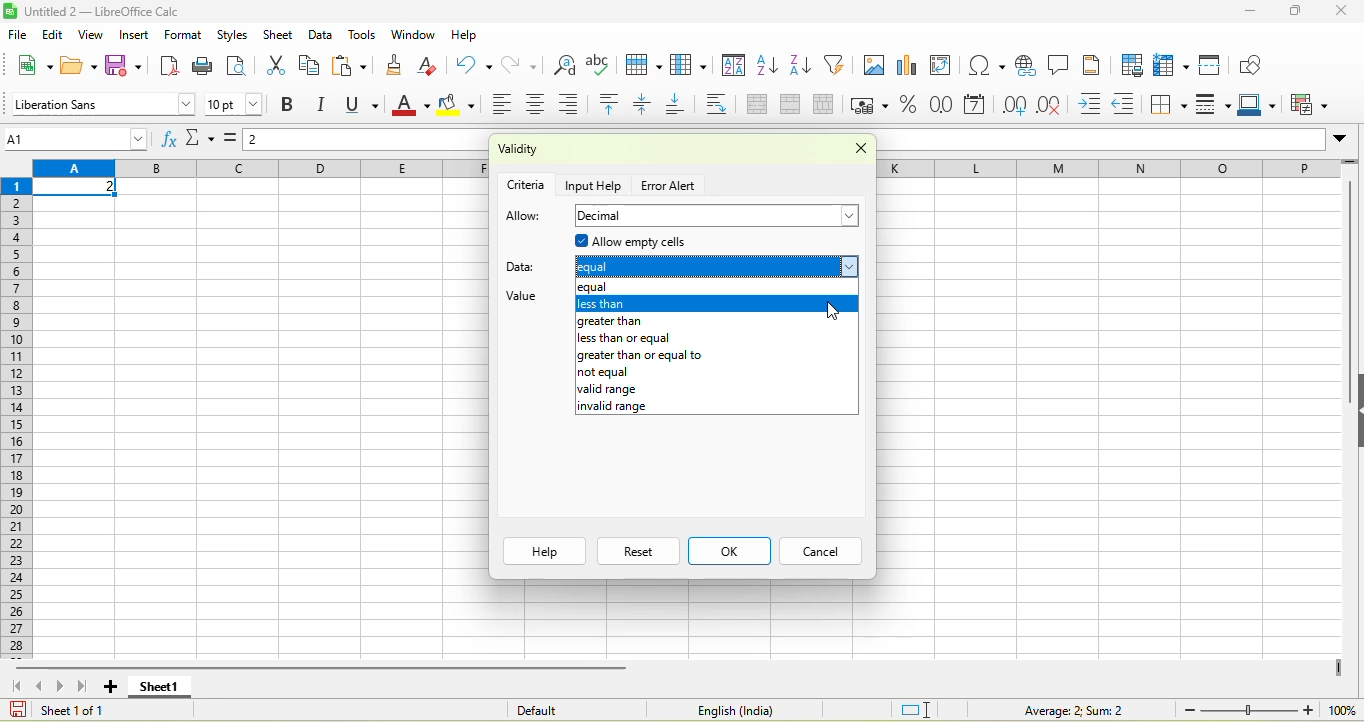 The height and width of the screenshot is (722, 1364). What do you see at coordinates (769, 67) in the screenshot?
I see `sort ascending` at bounding box center [769, 67].